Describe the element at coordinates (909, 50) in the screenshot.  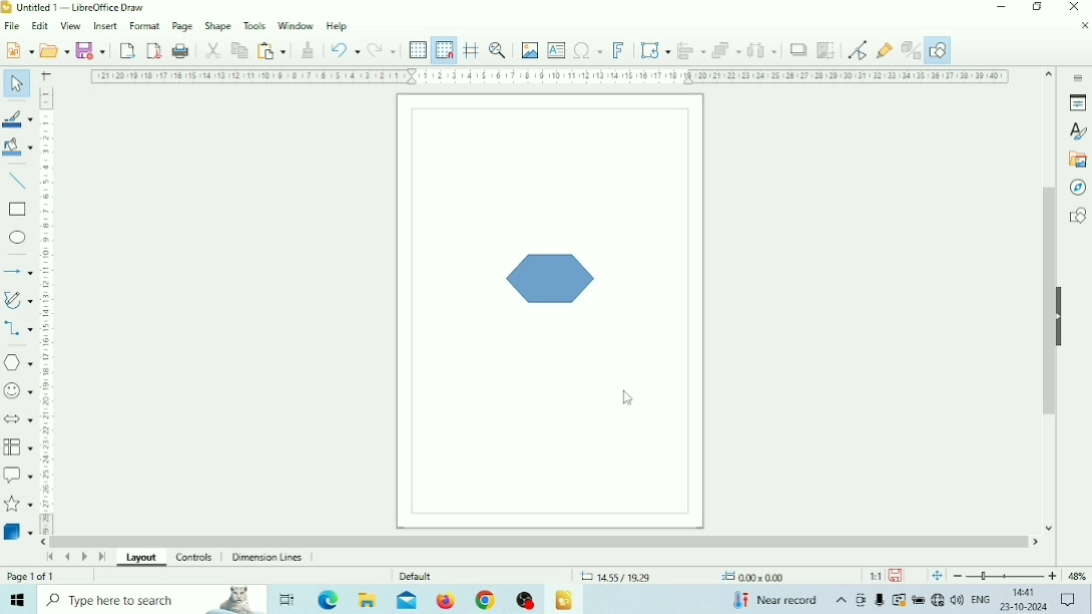
I see `Toggle Extrusion` at that location.